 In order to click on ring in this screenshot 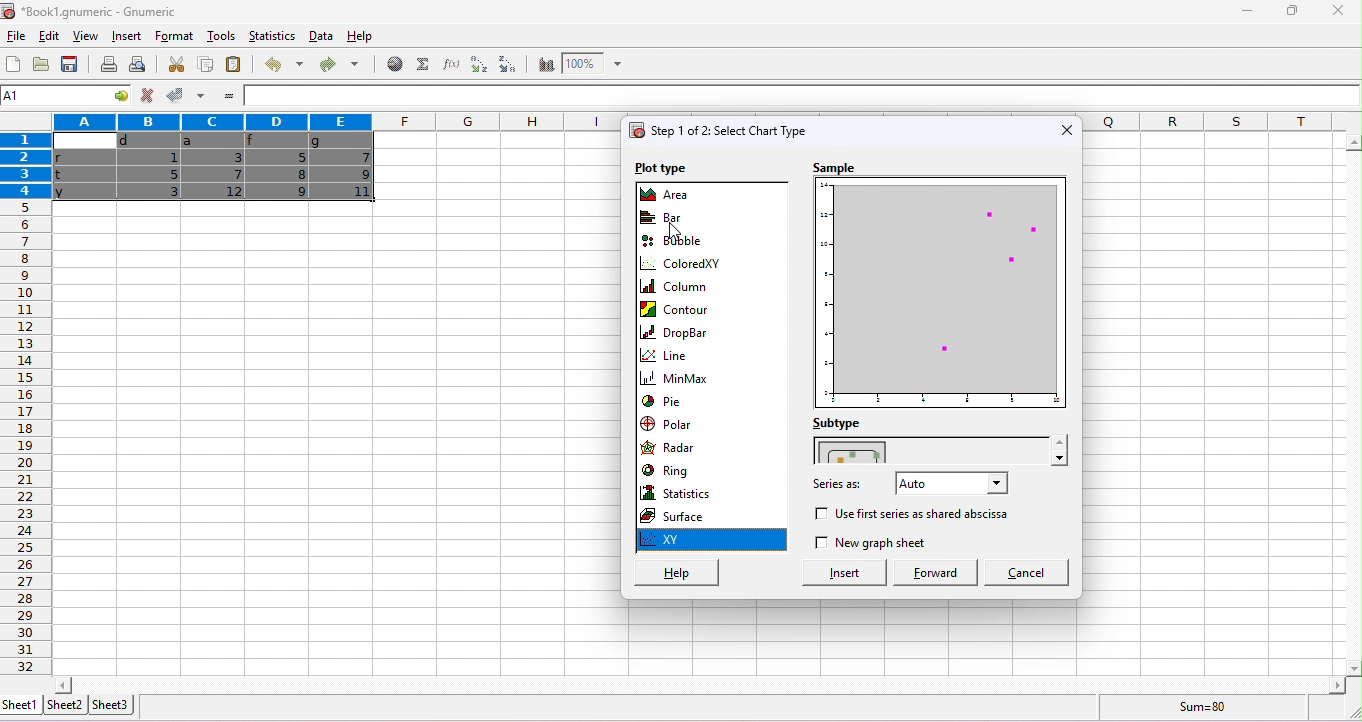, I will do `click(670, 470)`.